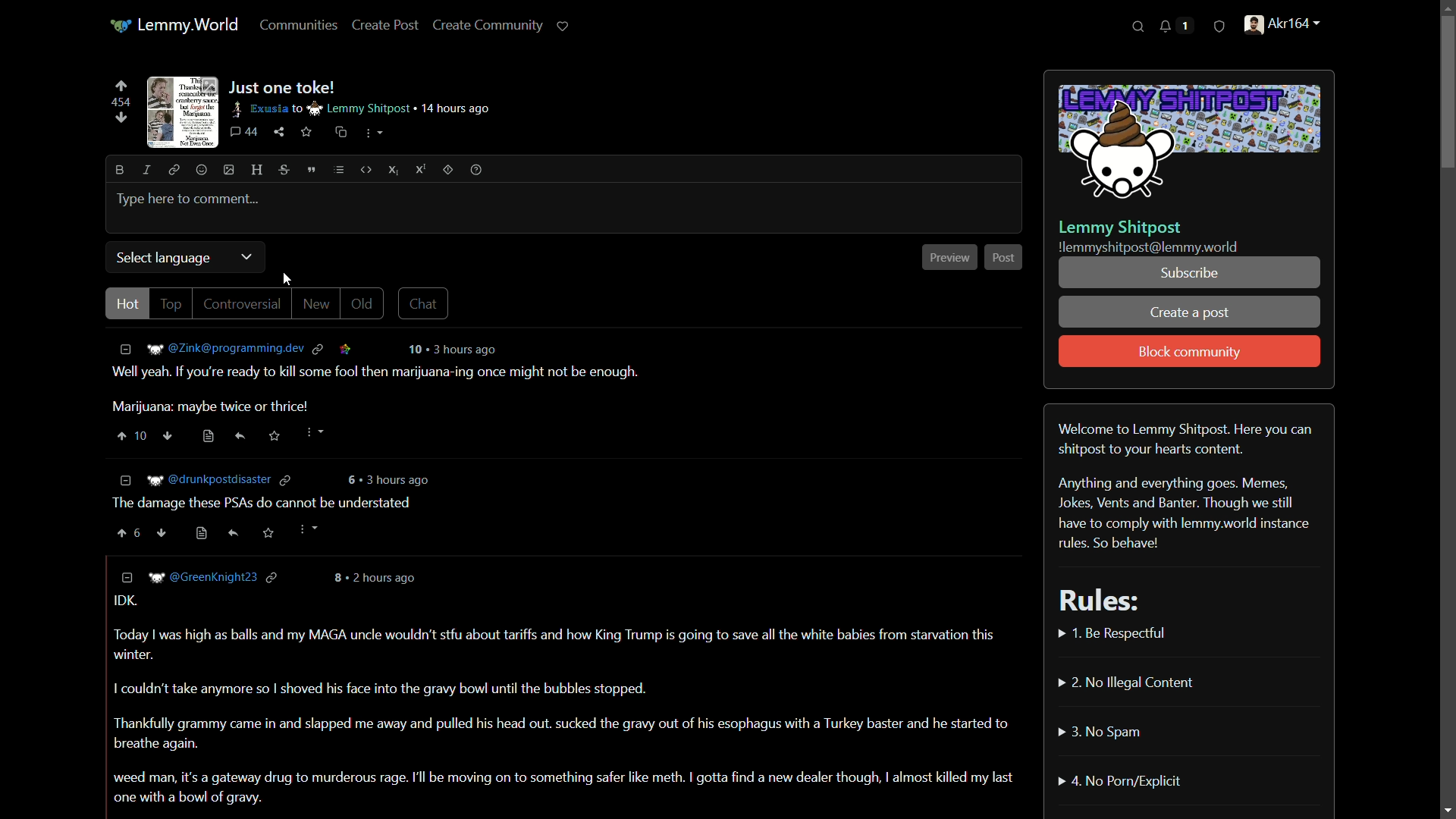 This screenshot has width=1456, height=819. Describe the element at coordinates (267, 535) in the screenshot. I see `save` at that location.